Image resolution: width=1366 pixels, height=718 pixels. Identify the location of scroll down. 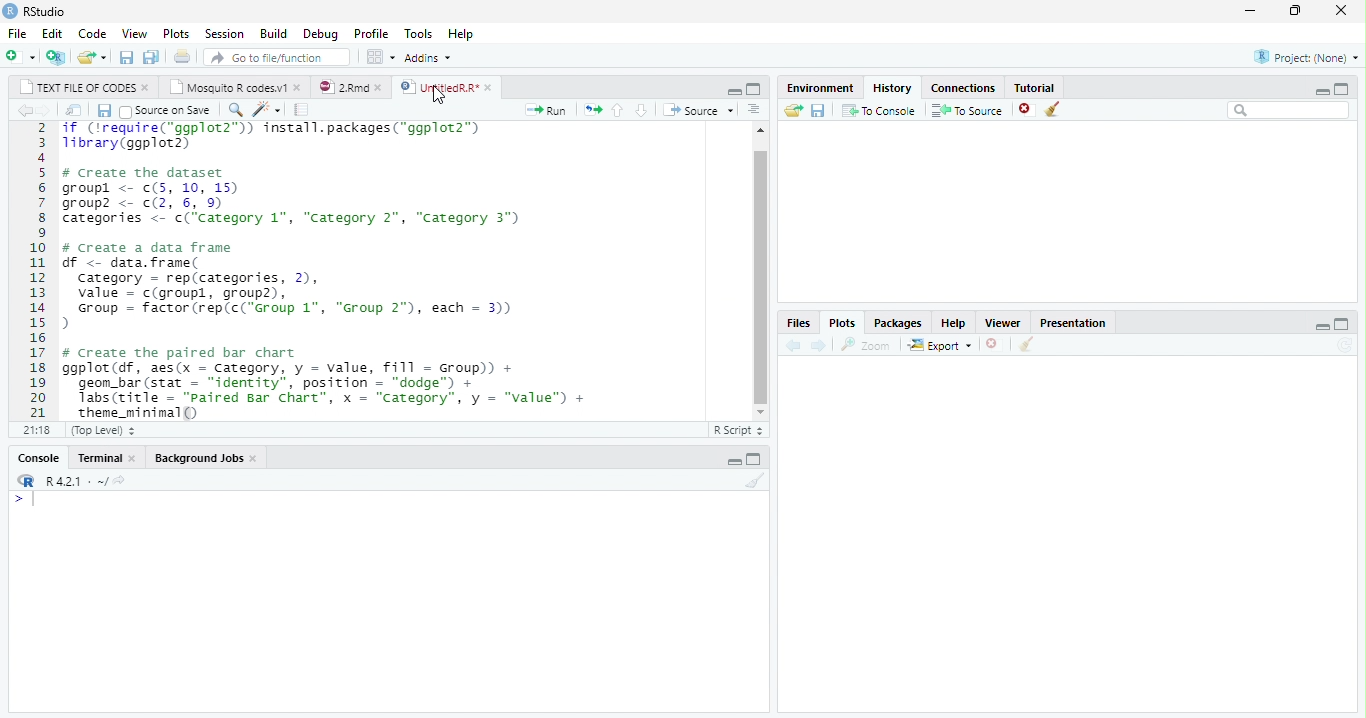
(762, 413).